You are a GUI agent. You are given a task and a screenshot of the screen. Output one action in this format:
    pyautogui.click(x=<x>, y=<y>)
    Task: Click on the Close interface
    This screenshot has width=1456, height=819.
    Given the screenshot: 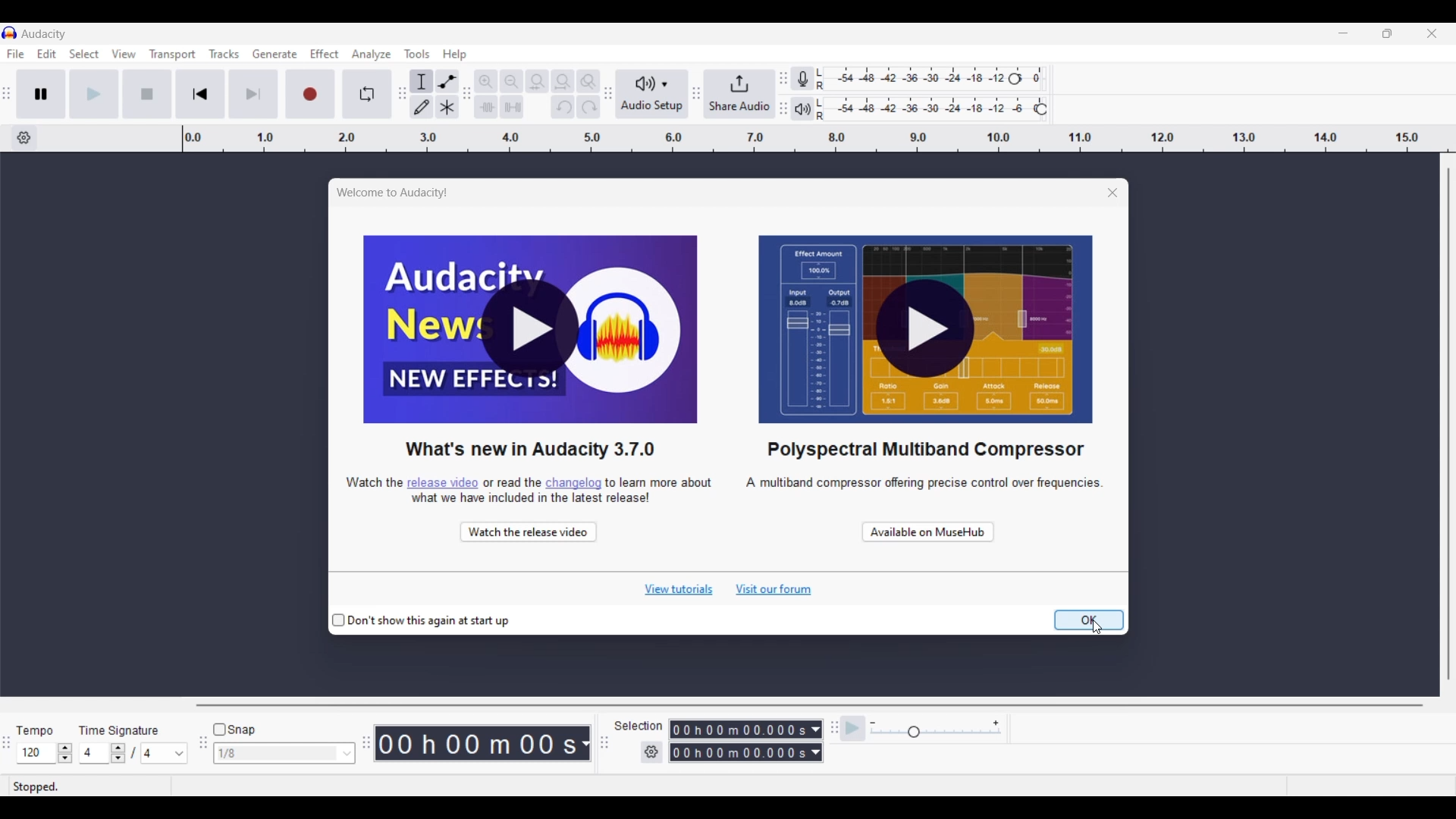 What is the action you would take?
    pyautogui.click(x=1432, y=33)
    